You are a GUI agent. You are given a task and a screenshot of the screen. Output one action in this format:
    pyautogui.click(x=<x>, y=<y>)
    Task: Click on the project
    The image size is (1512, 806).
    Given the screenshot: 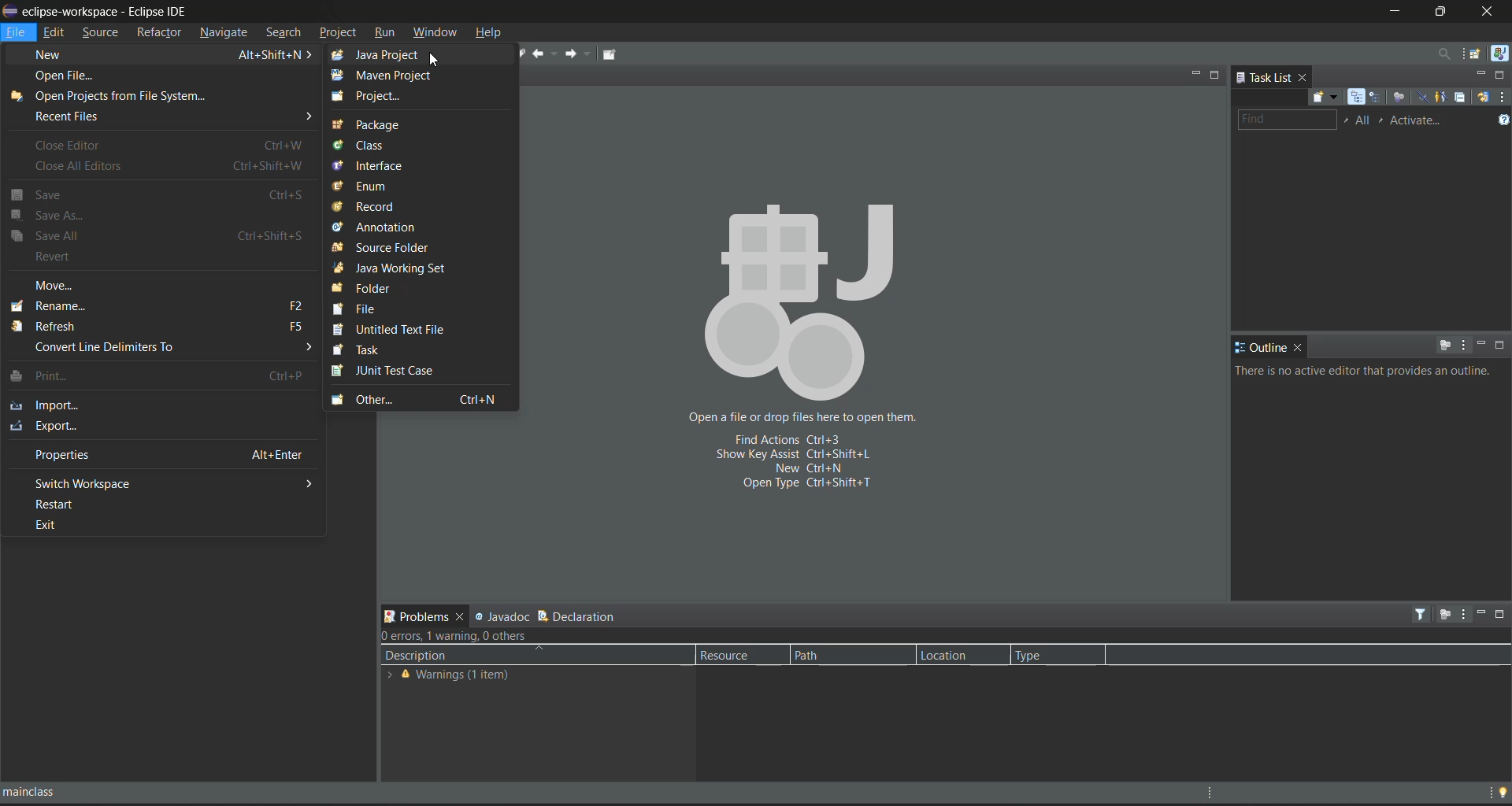 What is the action you would take?
    pyautogui.click(x=382, y=98)
    